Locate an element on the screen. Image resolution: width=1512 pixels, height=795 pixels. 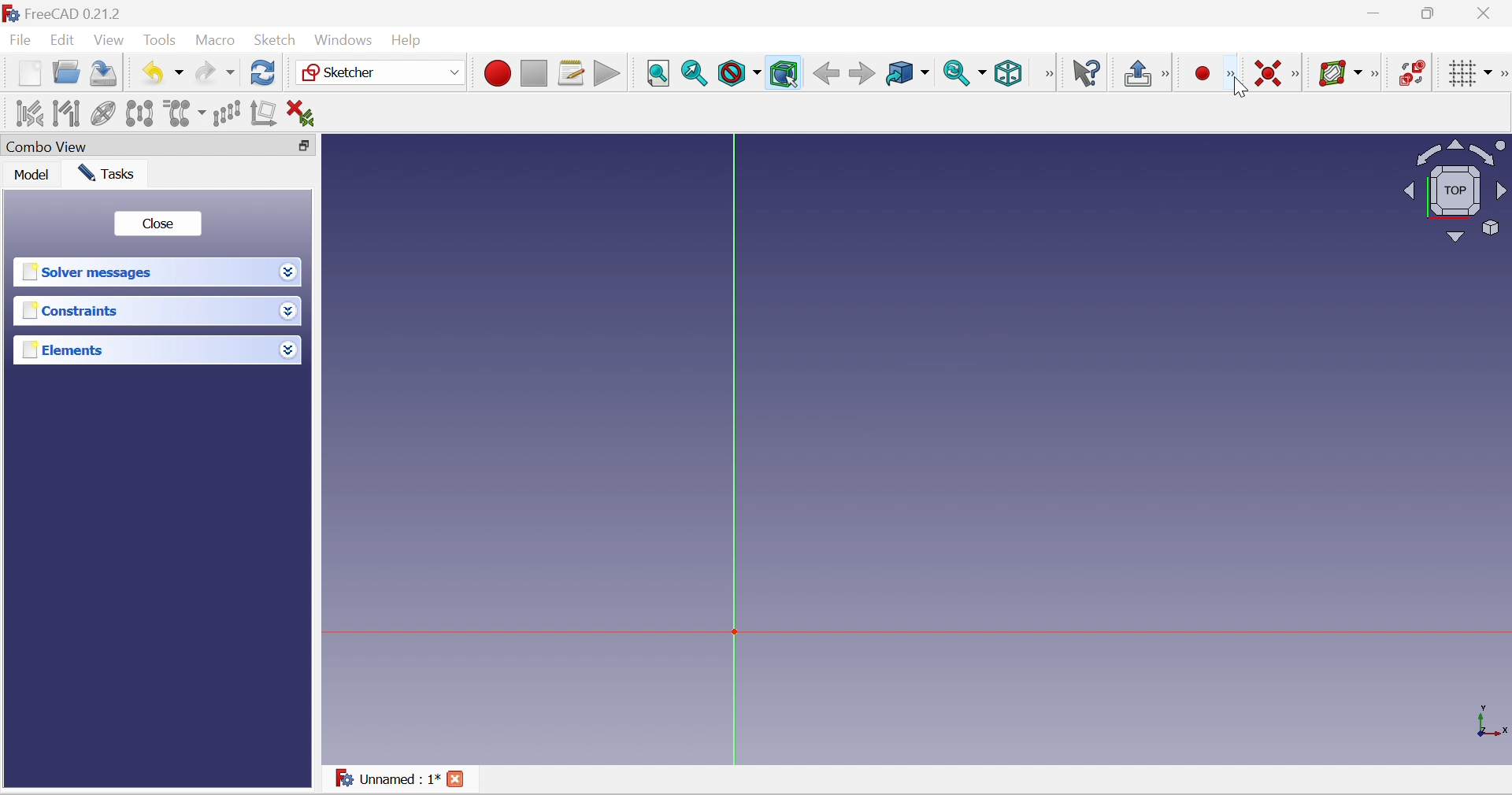
Sketch is located at coordinates (275, 40).